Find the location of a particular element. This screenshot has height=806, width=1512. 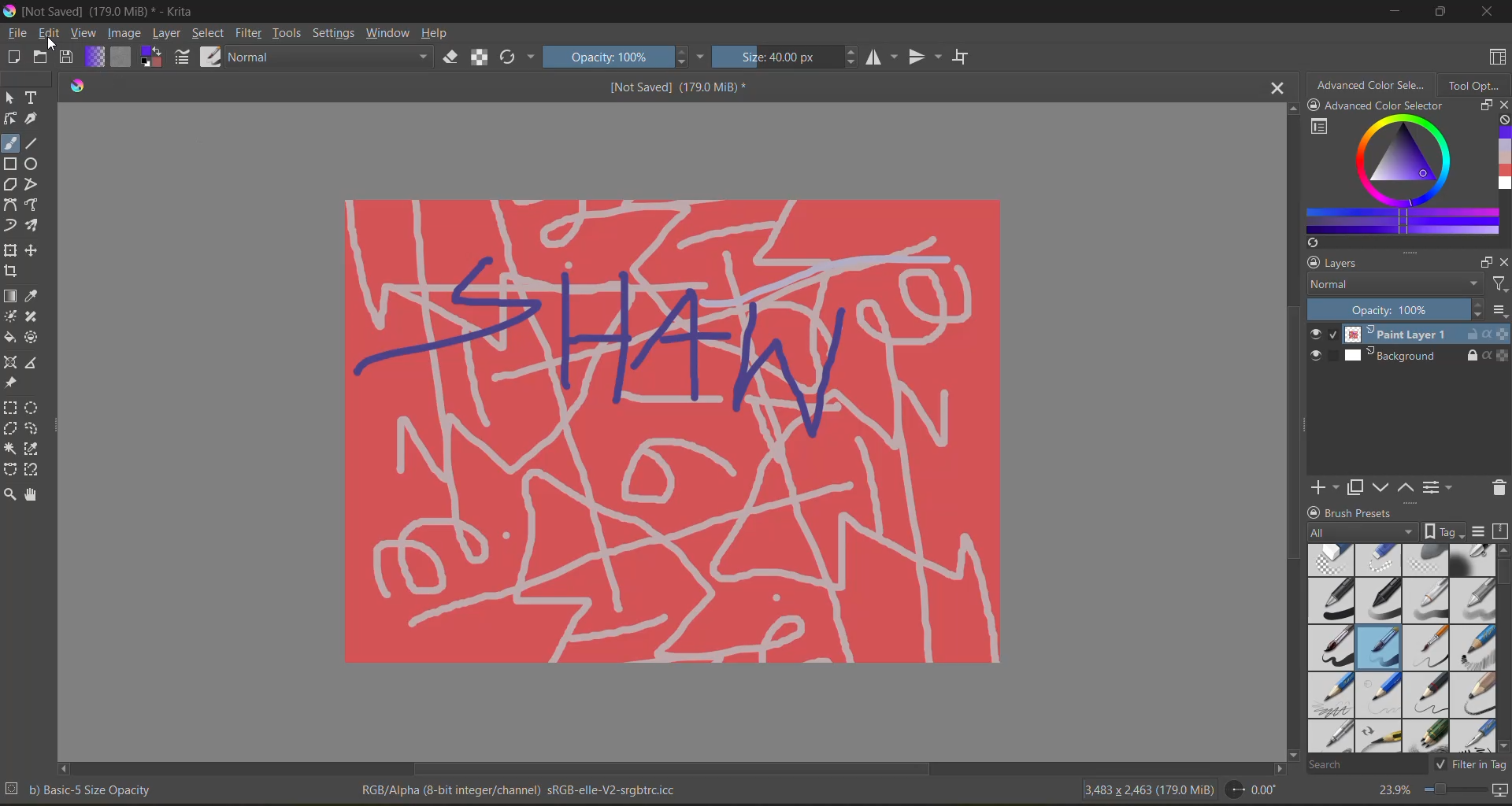

painting is located at coordinates (671, 432).